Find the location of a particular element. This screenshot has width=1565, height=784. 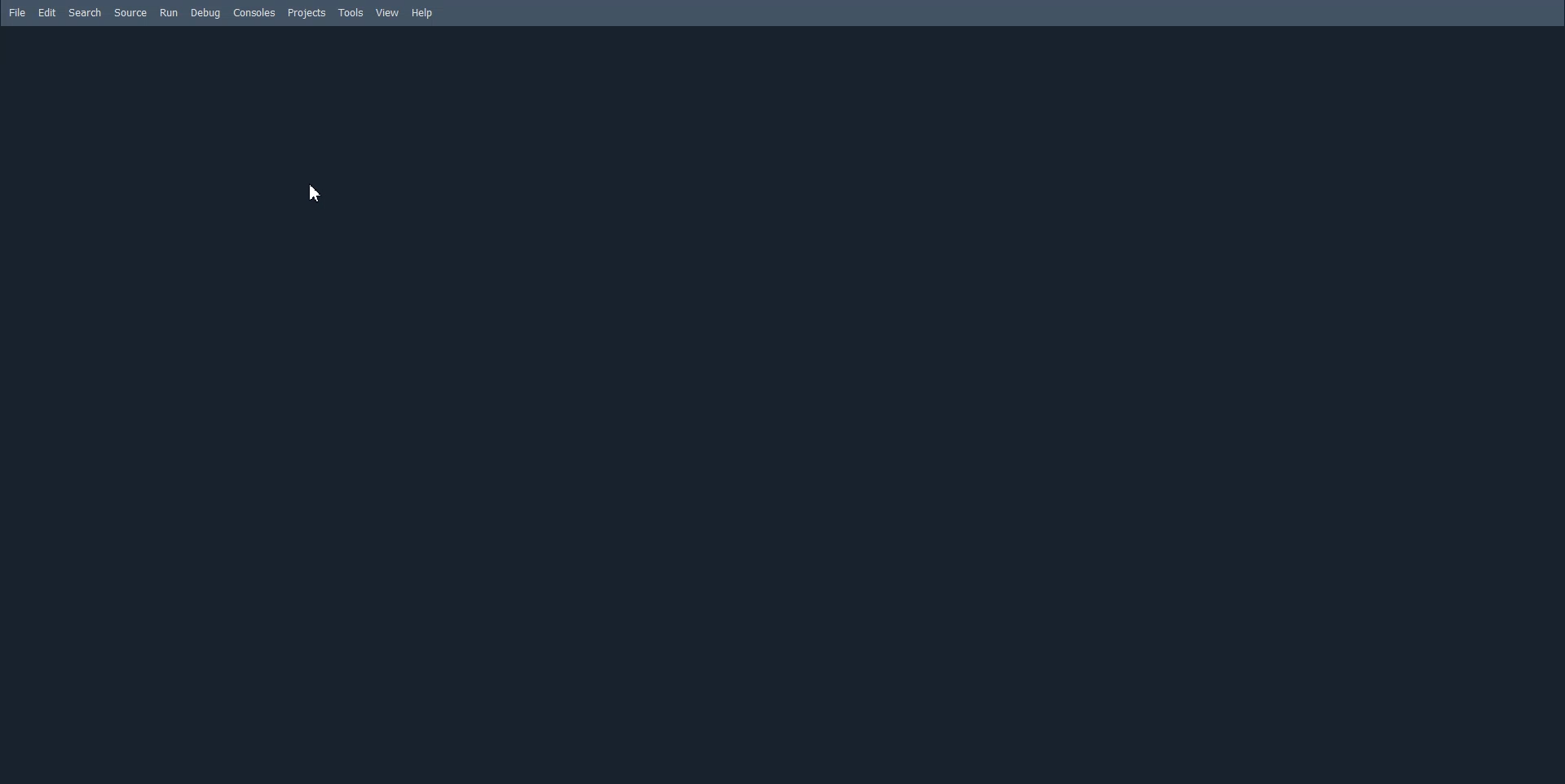

Edit is located at coordinates (47, 13).